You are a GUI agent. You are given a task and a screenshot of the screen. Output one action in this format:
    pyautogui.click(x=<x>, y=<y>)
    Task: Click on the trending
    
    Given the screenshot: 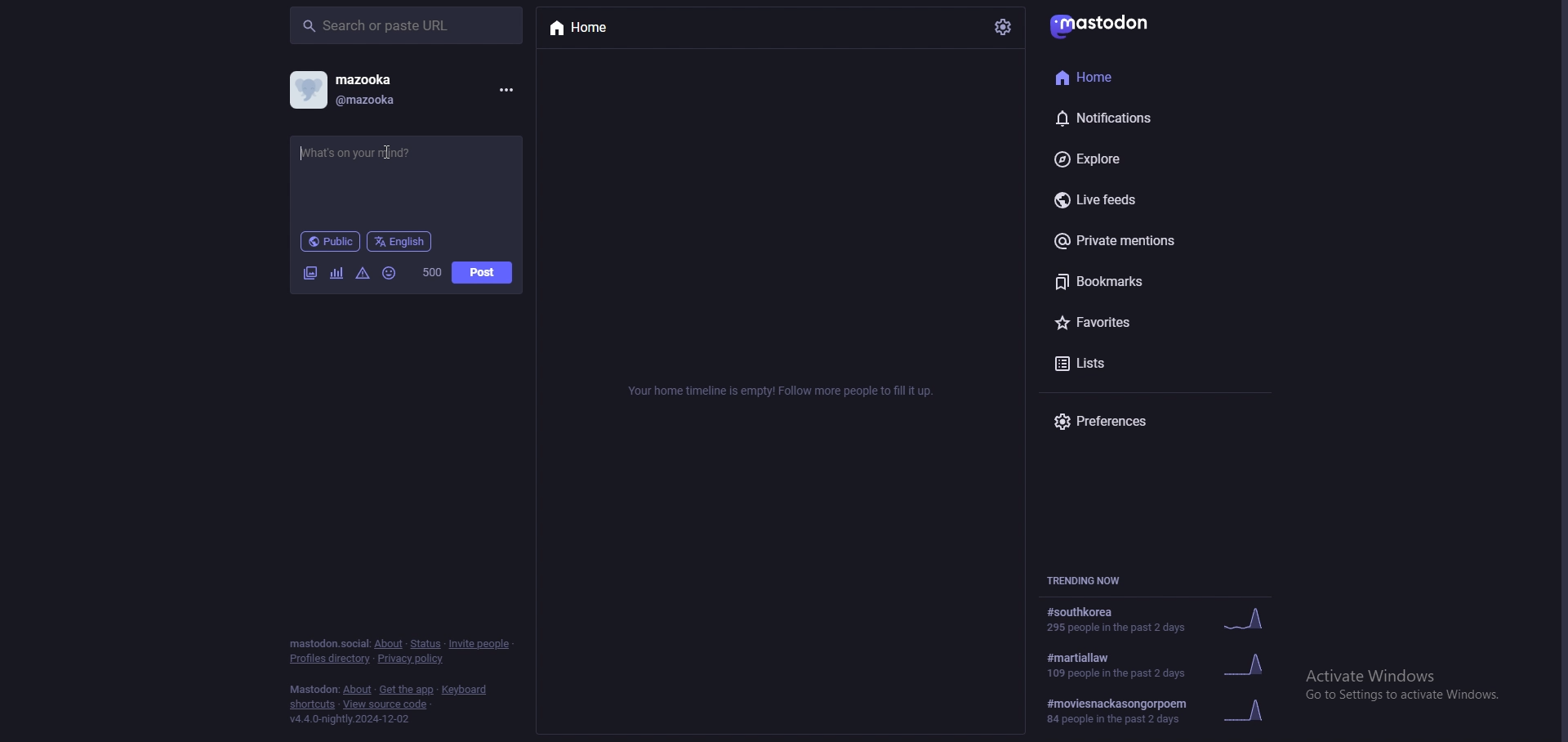 What is the action you would take?
    pyautogui.click(x=1158, y=619)
    